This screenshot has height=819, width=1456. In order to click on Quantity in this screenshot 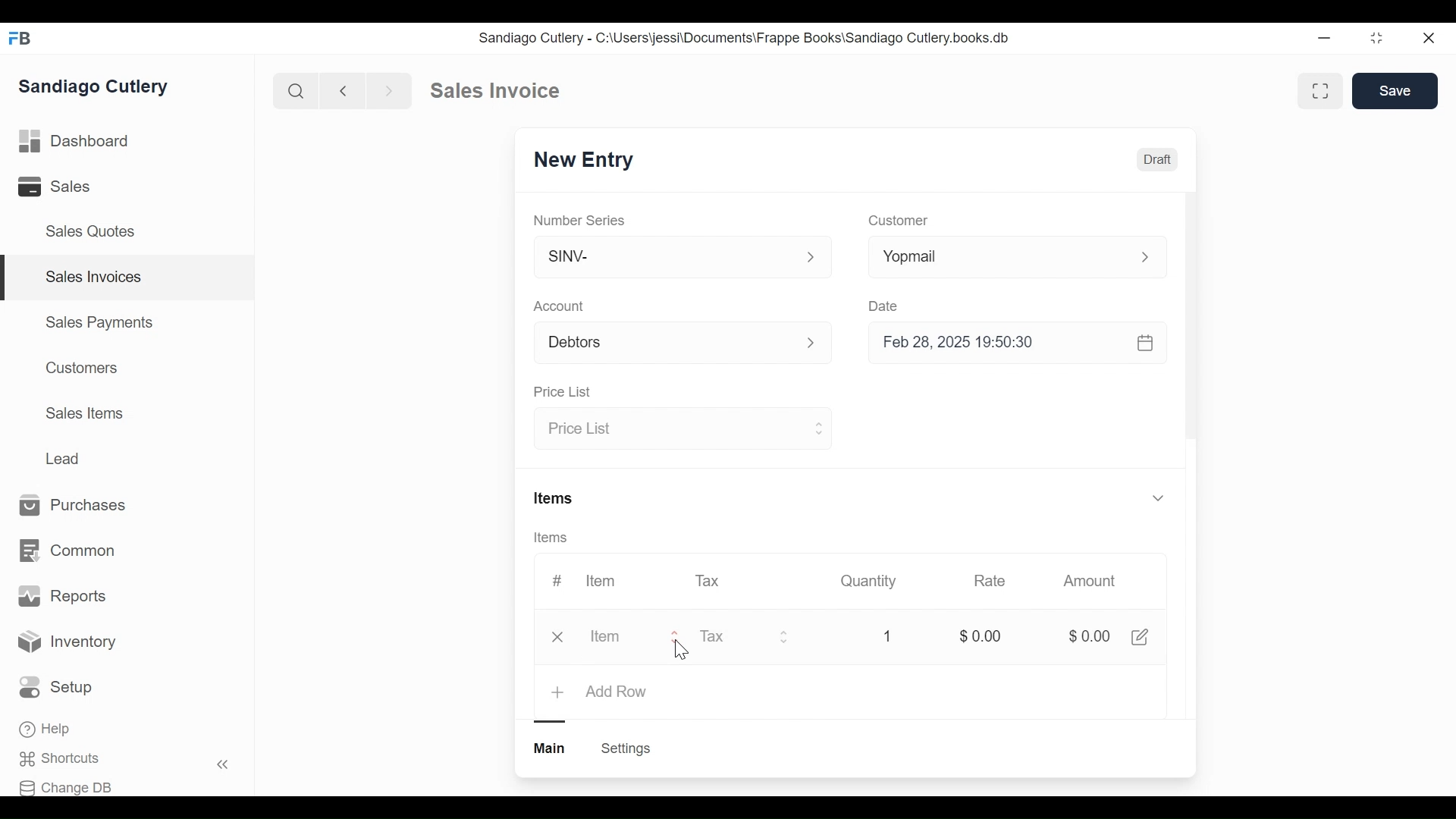, I will do `click(870, 581)`.